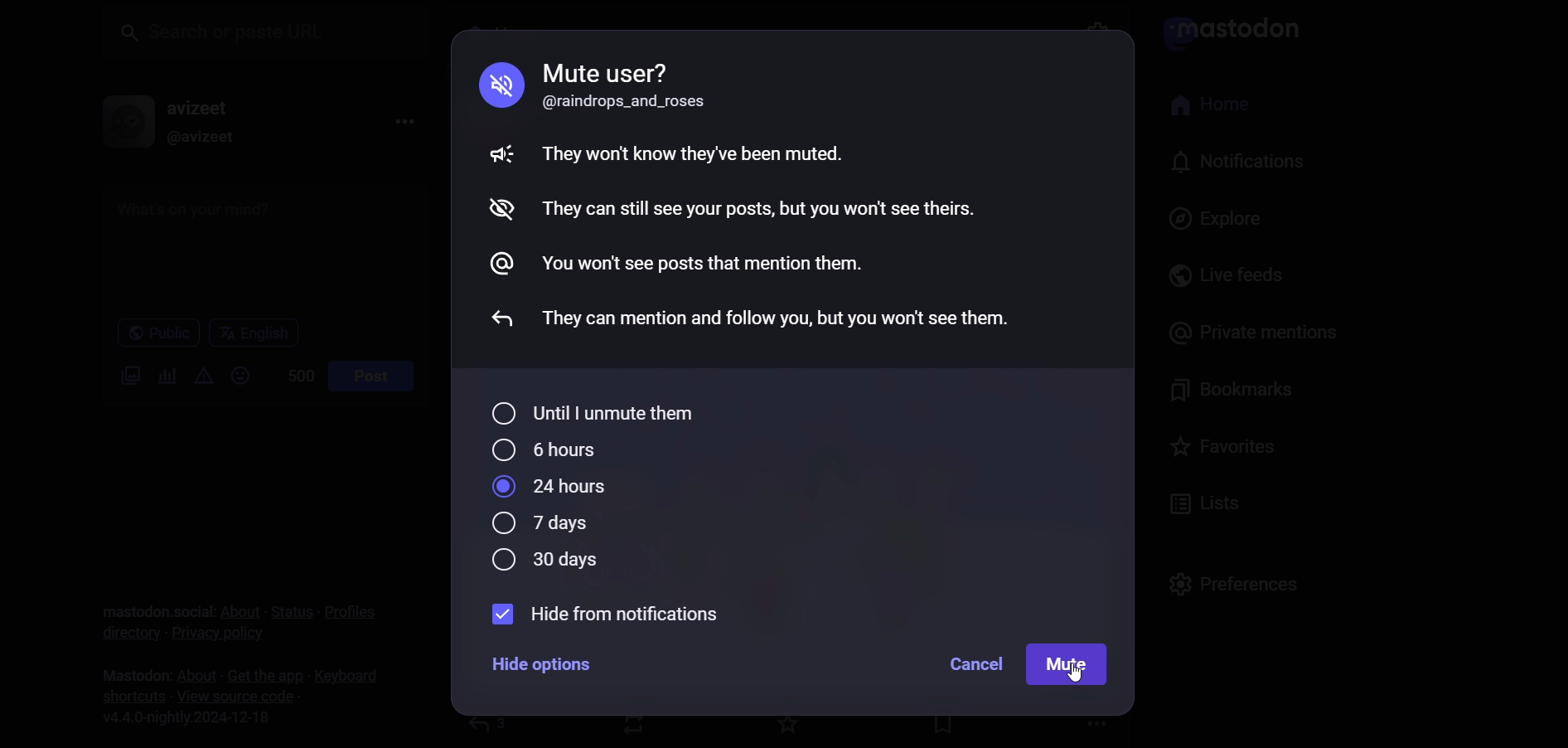 The width and height of the screenshot is (1568, 748). Describe the element at coordinates (965, 666) in the screenshot. I see `cancel` at that location.